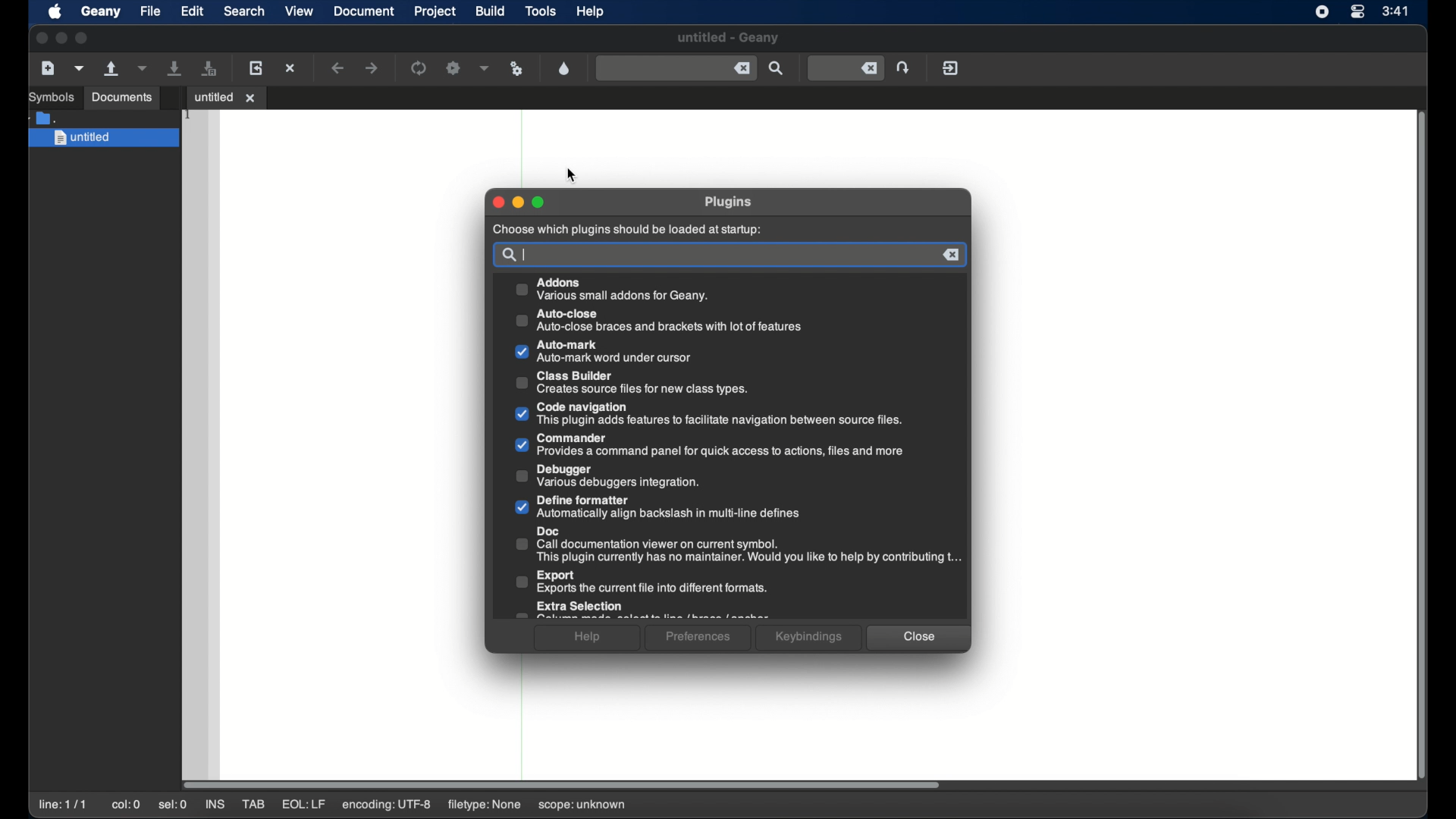  I want to click on extra selection, so click(637, 610).